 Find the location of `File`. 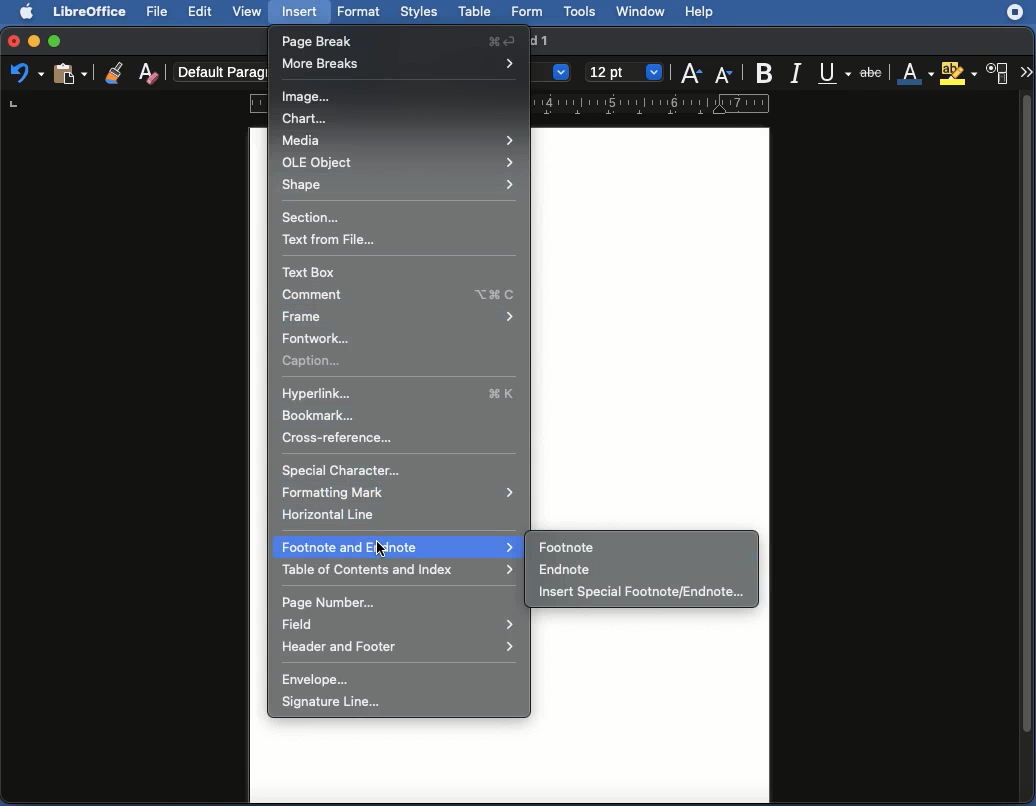

File is located at coordinates (159, 12).